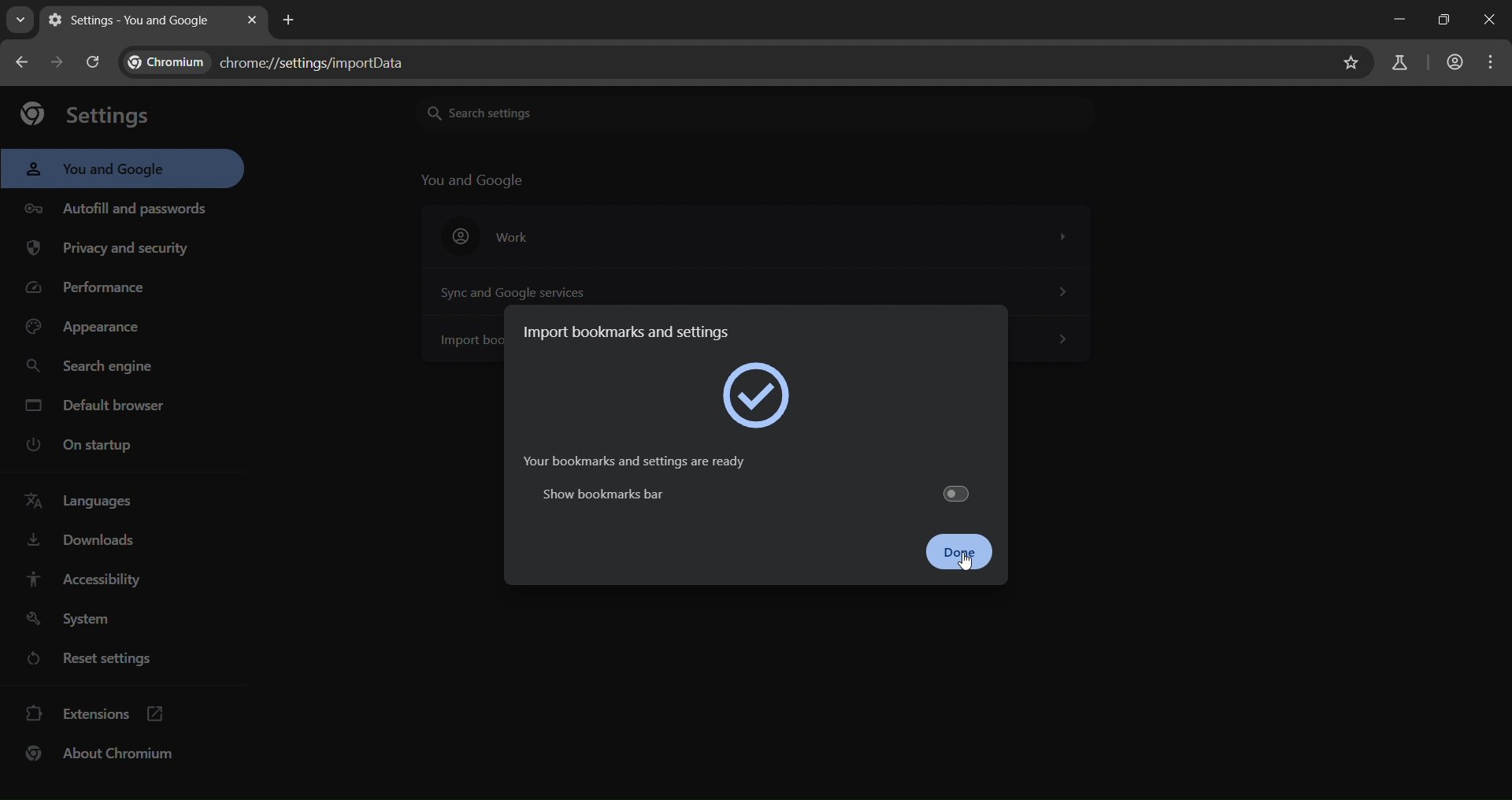  I want to click on you and google, so click(98, 170).